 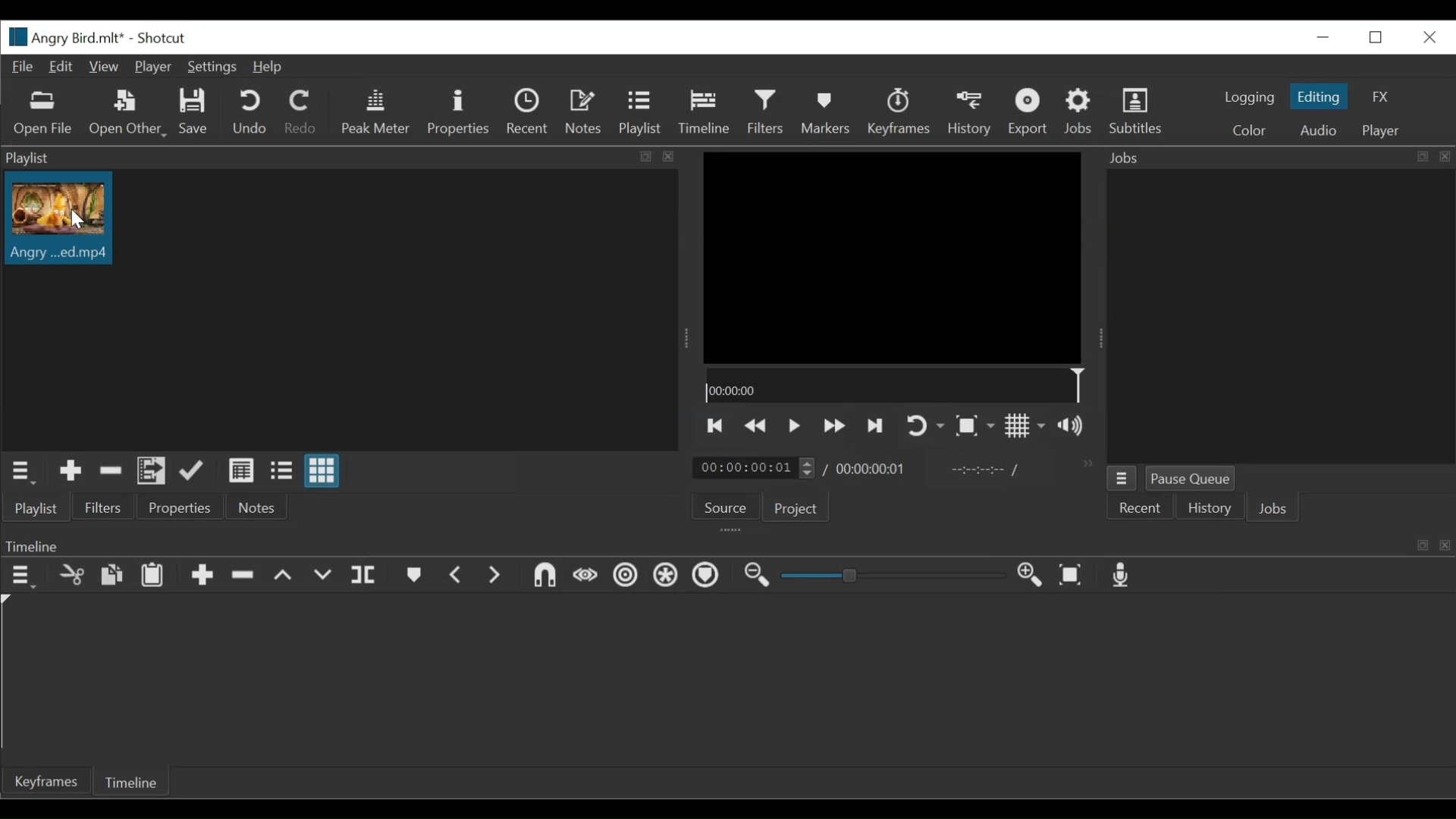 What do you see at coordinates (757, 425) in the screenshot?
I see `Play backward quickly` at bounding box center [757, 425].